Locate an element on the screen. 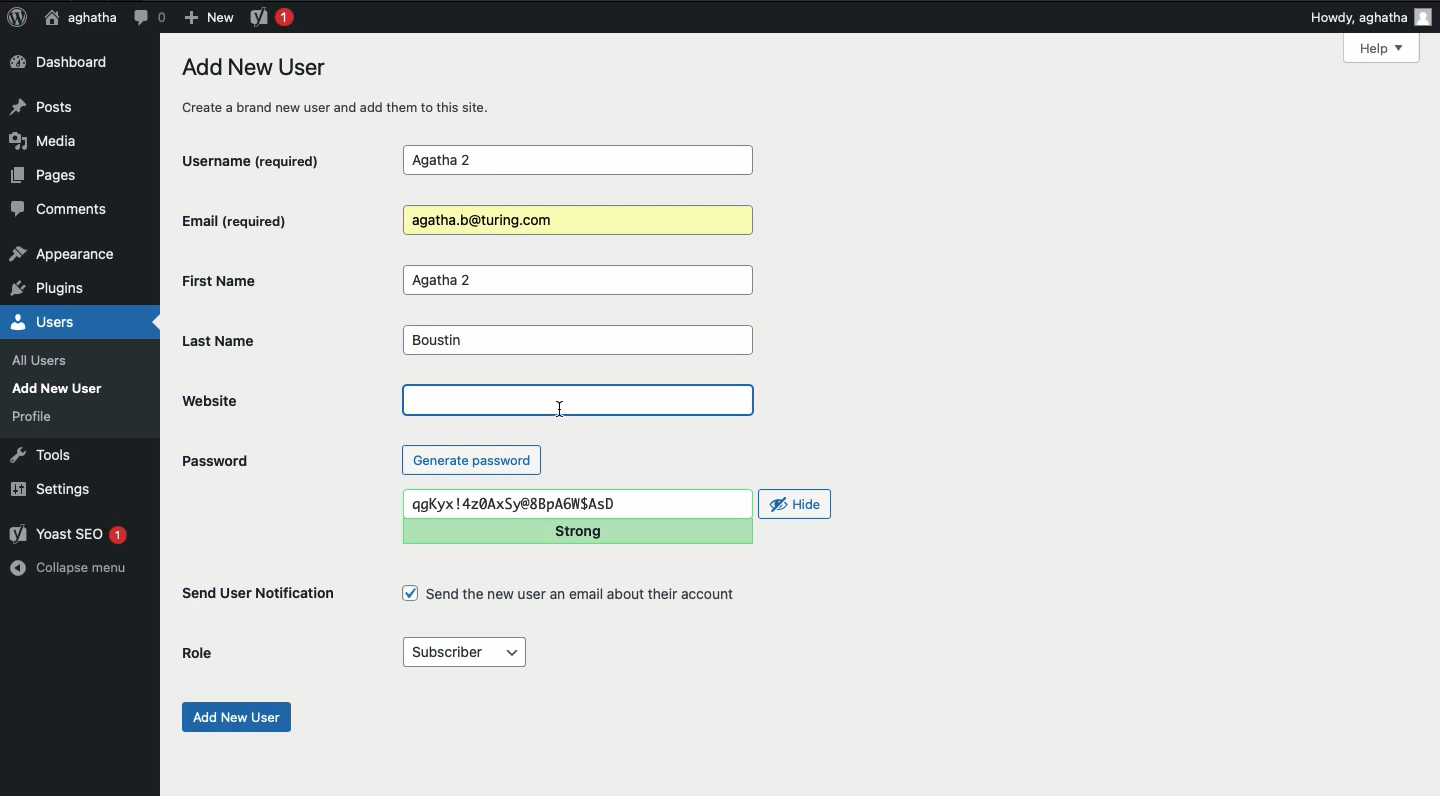  New is located at coordinates (208, 16).